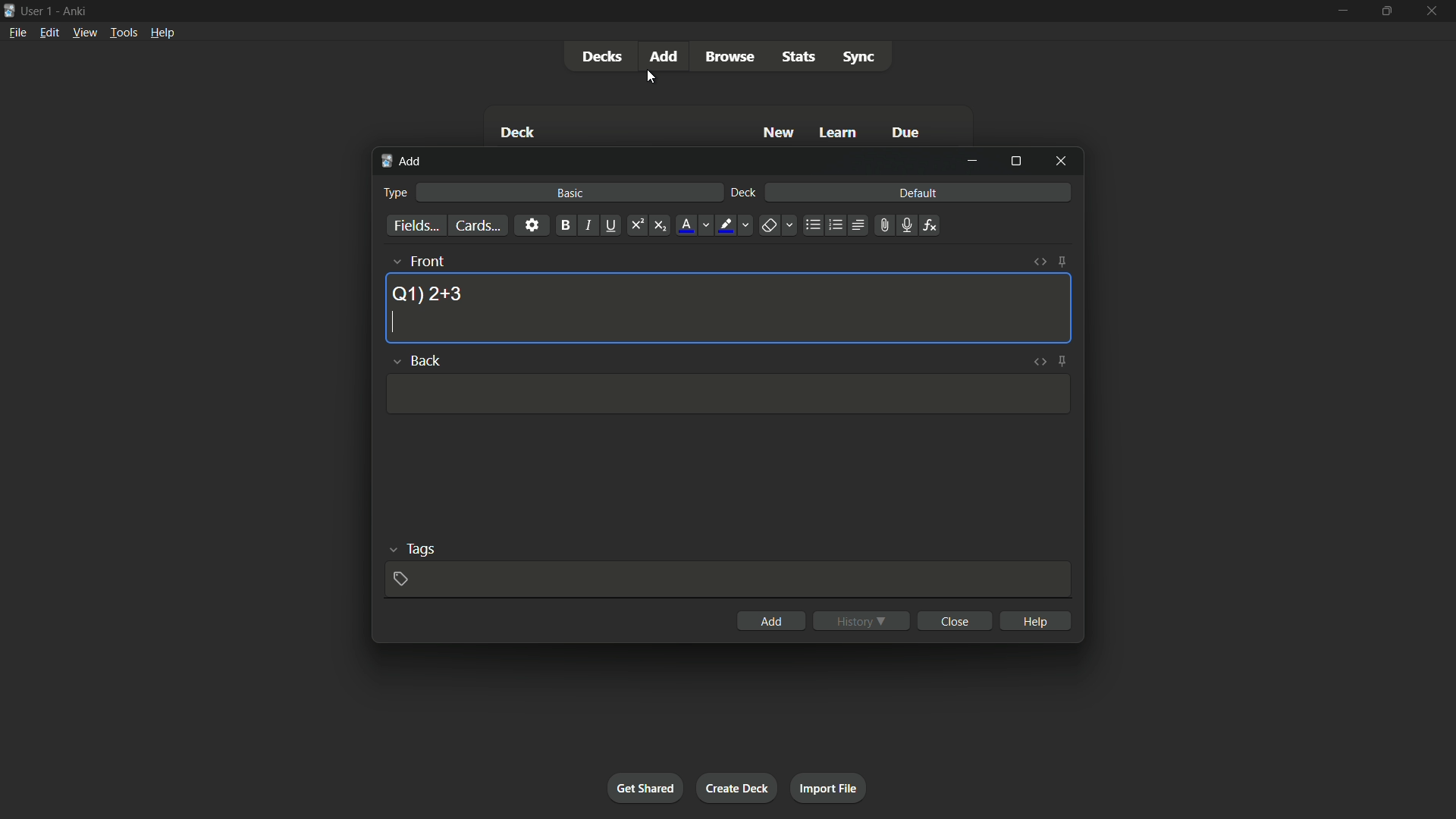 This screenshot has height=819, width=1456. I want to click on toggle sticky, so click(1062, 262).